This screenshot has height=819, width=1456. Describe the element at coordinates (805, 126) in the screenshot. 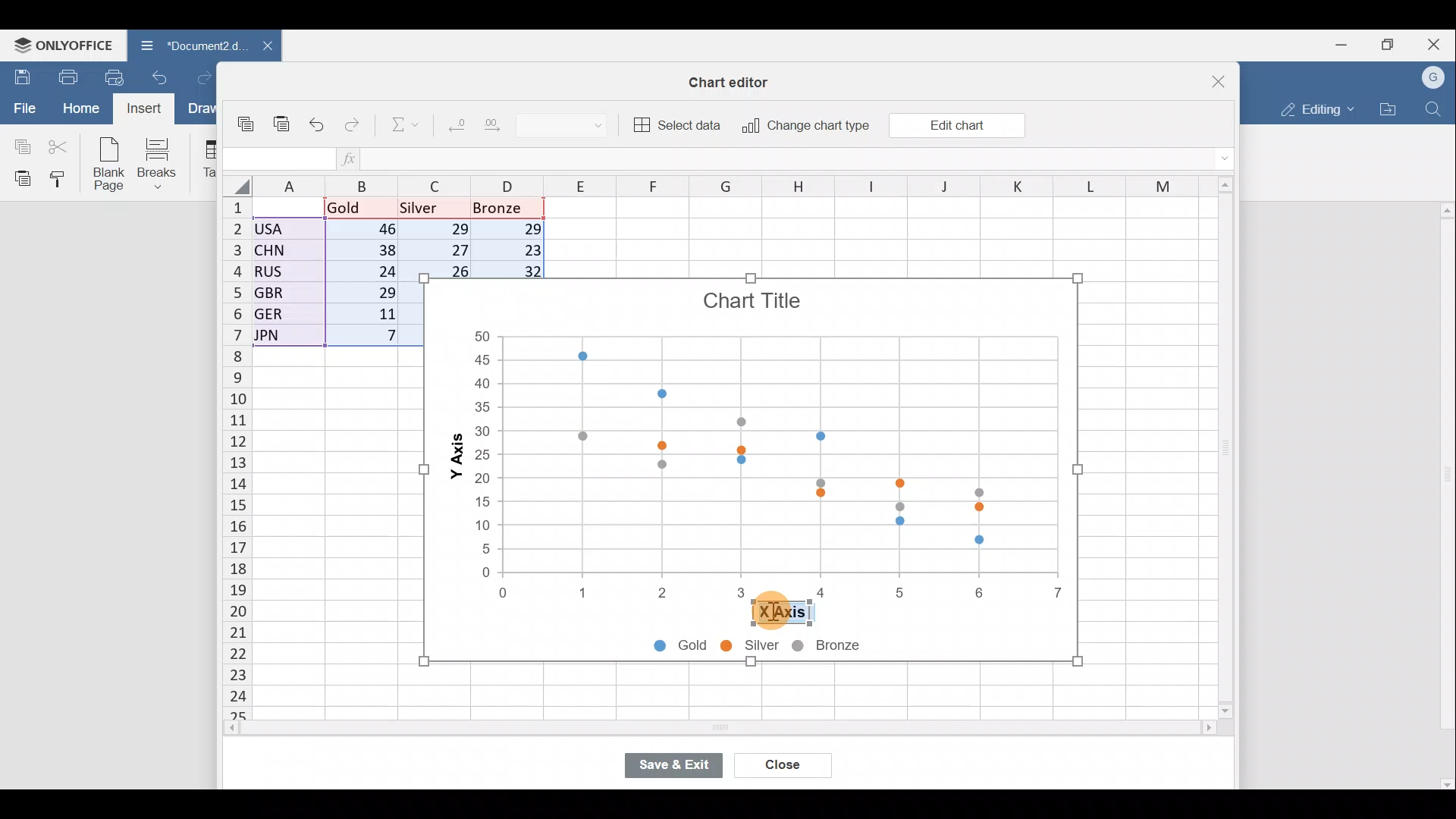

I see `Change chart type` at that location.